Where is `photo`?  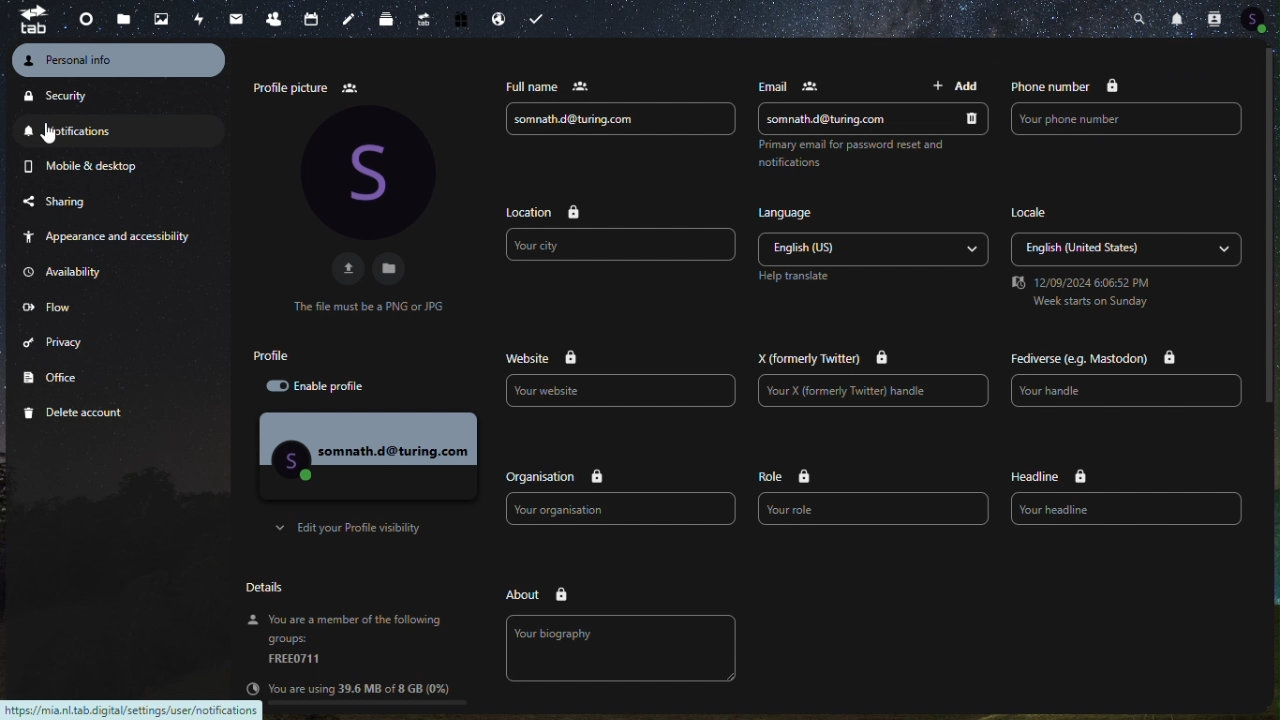
photo is located at coordinates (161, 18).